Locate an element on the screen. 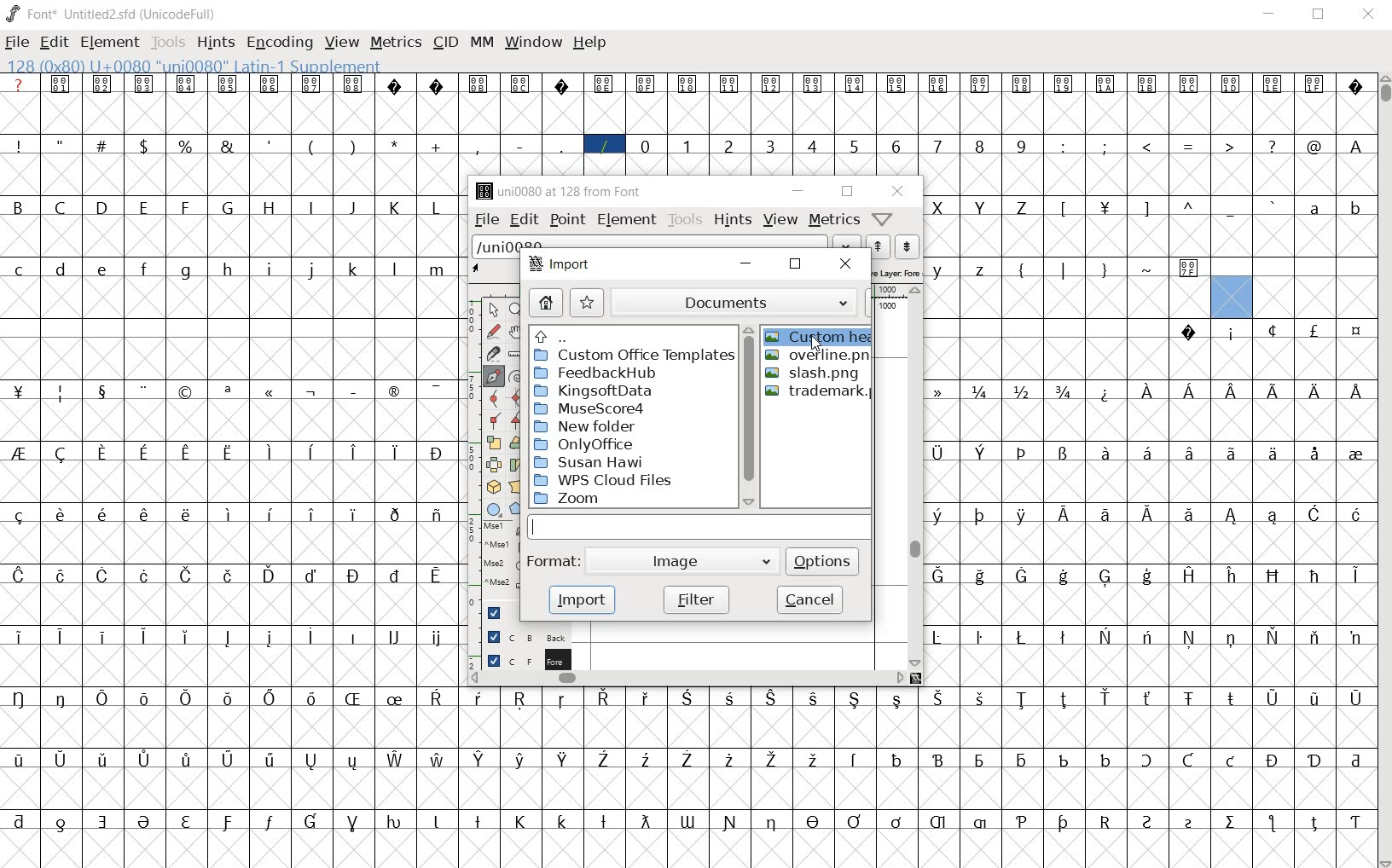 This screenshot has width=1392, height=868. glyph is located at coordinates (815, 699).